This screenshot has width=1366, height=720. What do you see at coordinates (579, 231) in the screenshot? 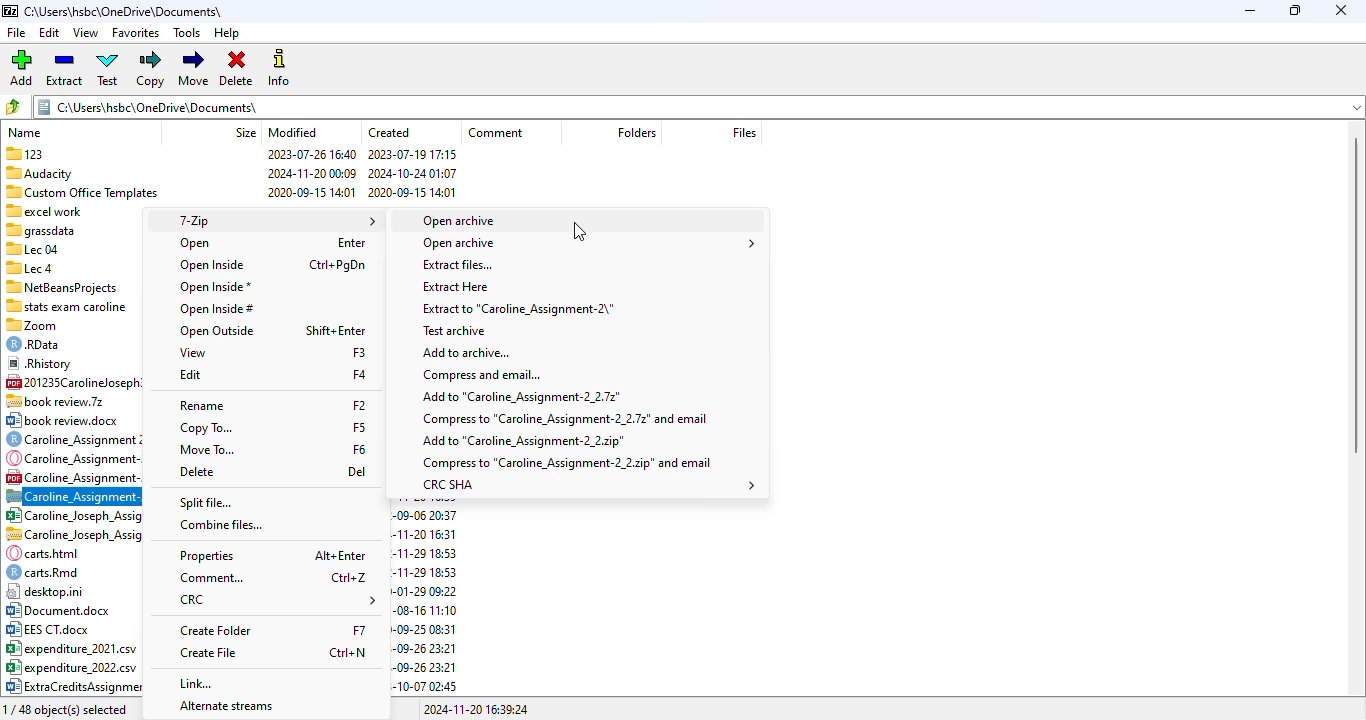
I see `cursor` at bounding box center [579, 231].